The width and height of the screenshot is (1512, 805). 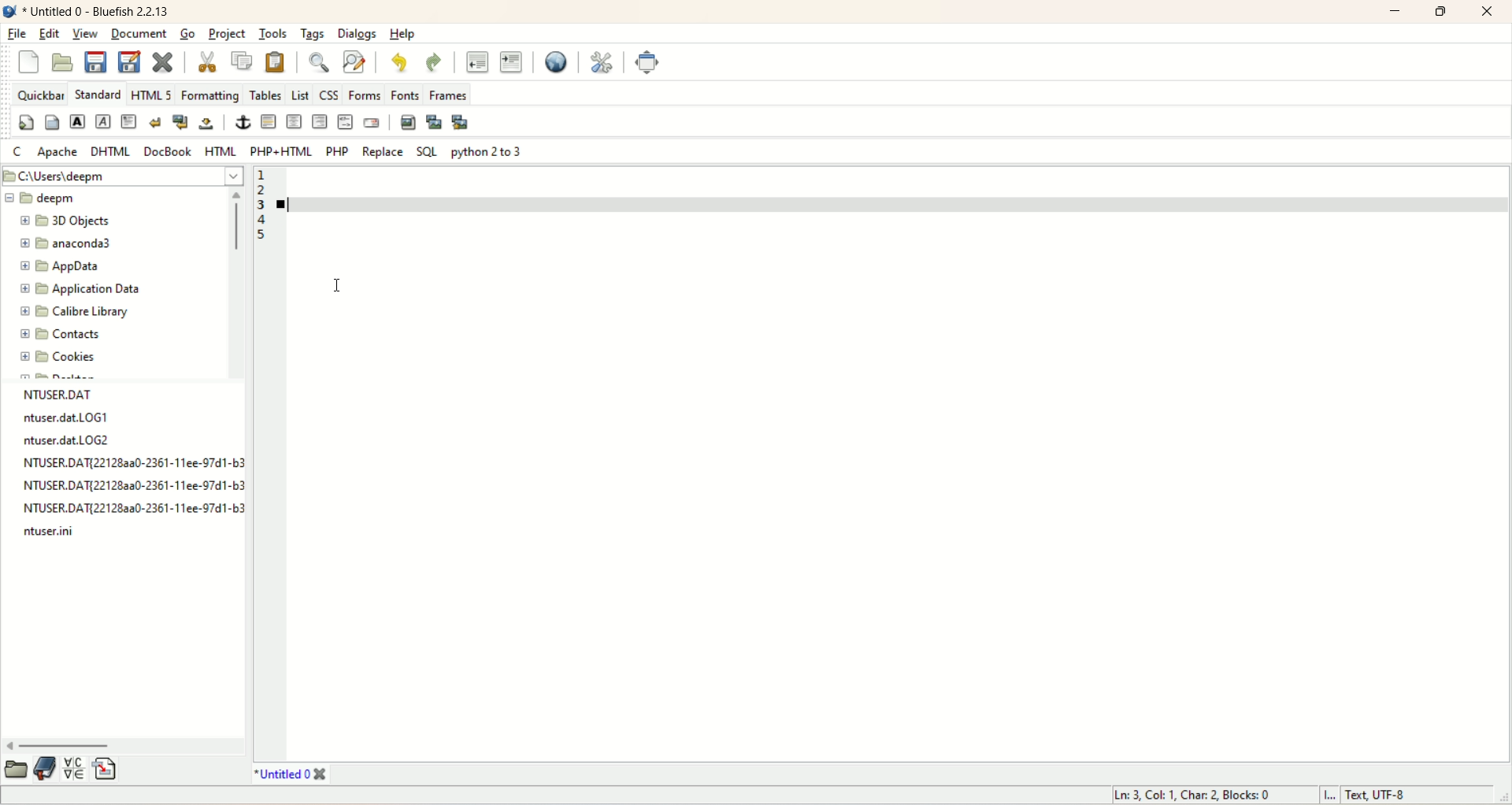 I want to click on dialogs, so click(x=355, y=33).